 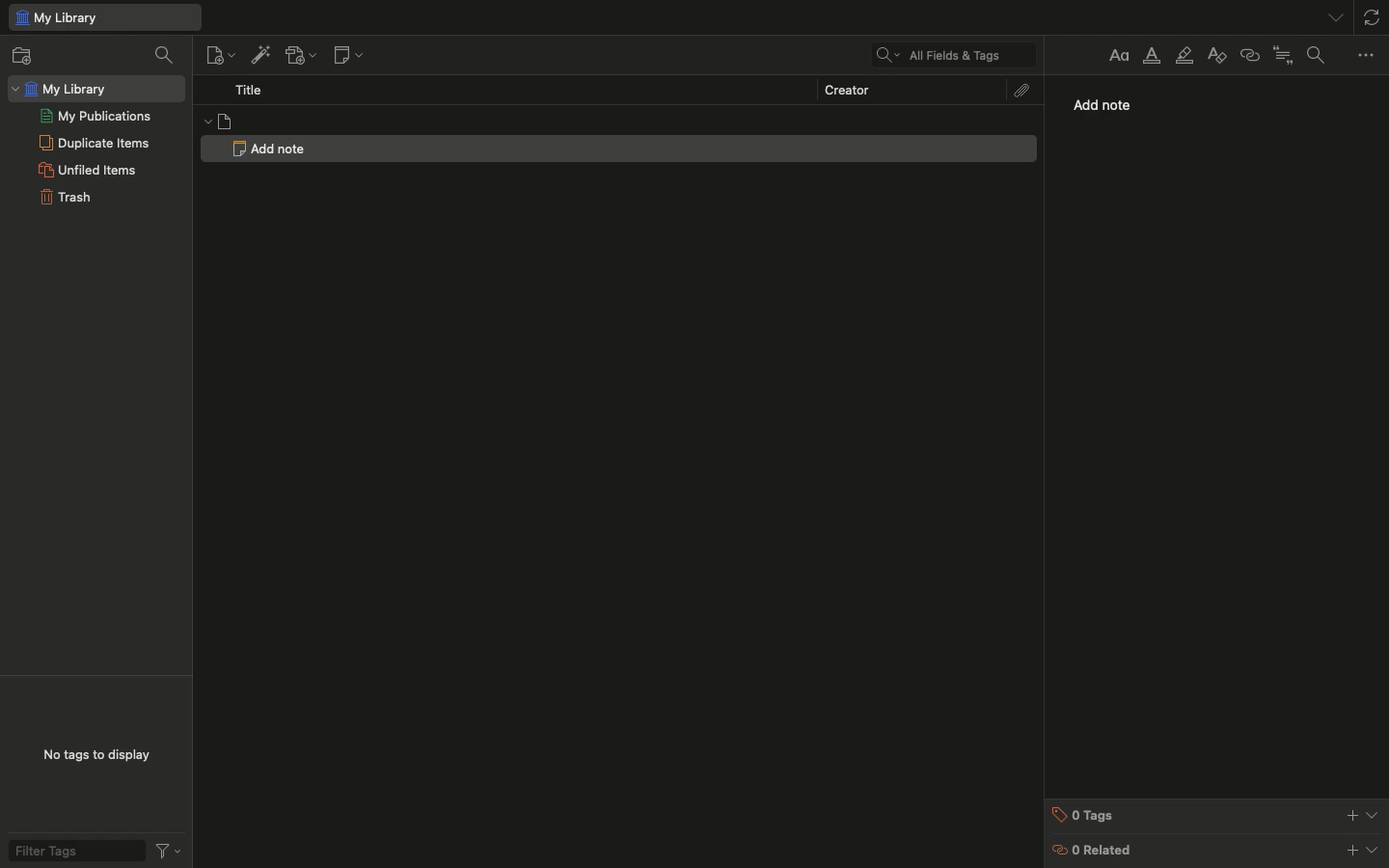 What do you see at coordinates (95, 116) in the screenshot?
I see `My publications` at bounding box center [95, 116].